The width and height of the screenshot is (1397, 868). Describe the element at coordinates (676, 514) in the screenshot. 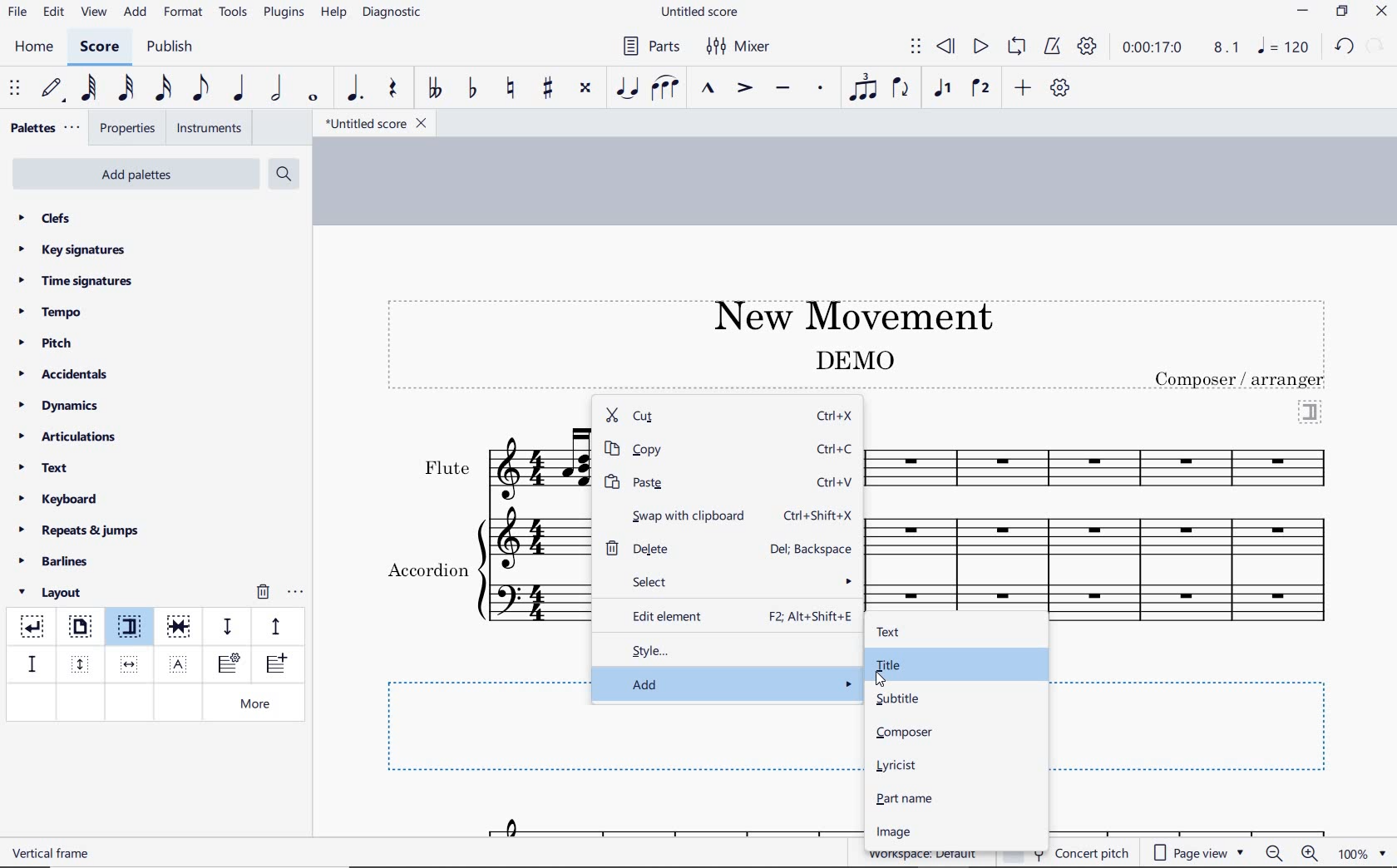

I see `swap with clipboard` at that location.